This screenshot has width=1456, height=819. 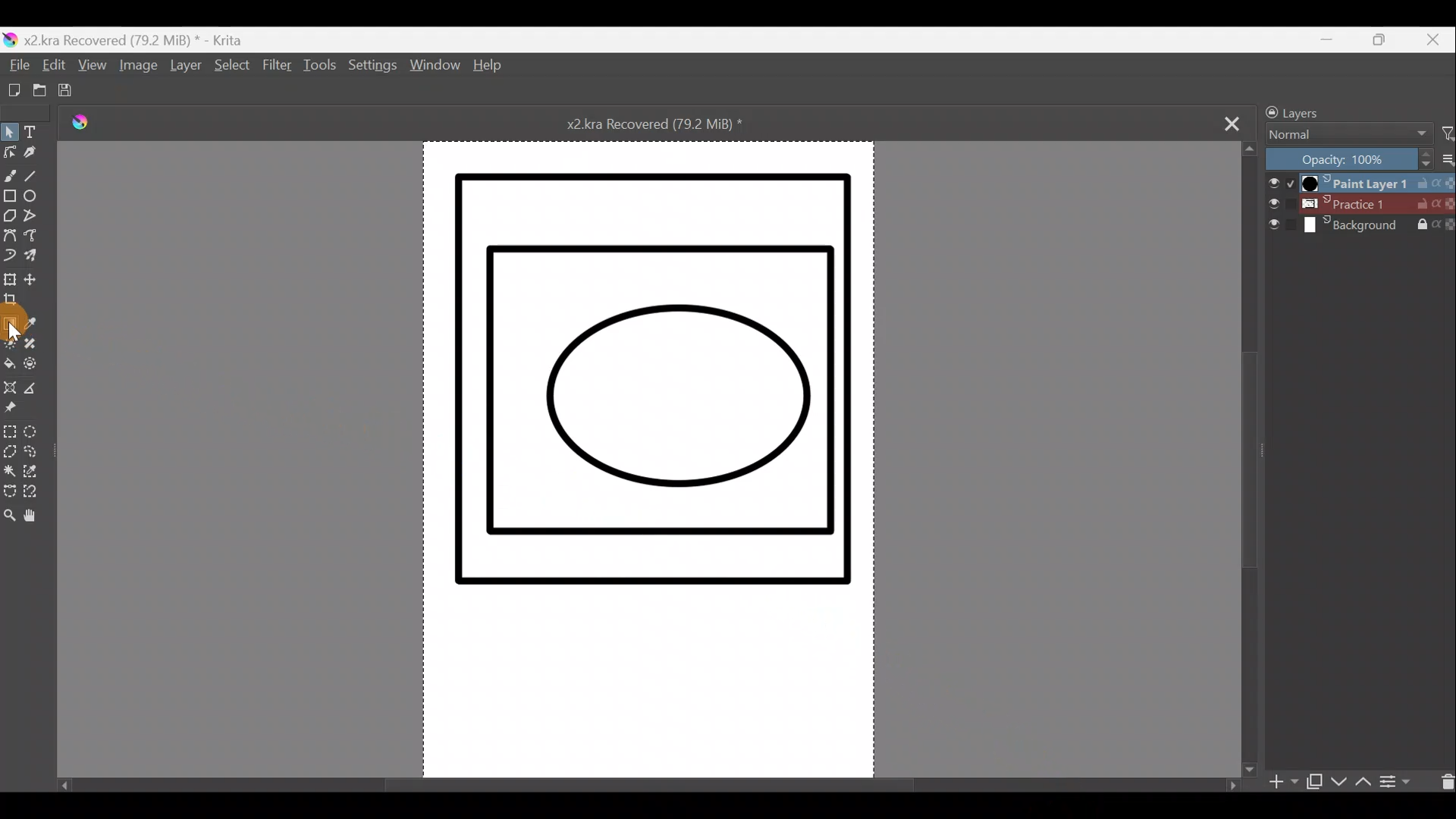 What do you see at coordinates (10, 237) in the screenshot?
I see `Bezier curve tool` at bounding box center [10, 237].